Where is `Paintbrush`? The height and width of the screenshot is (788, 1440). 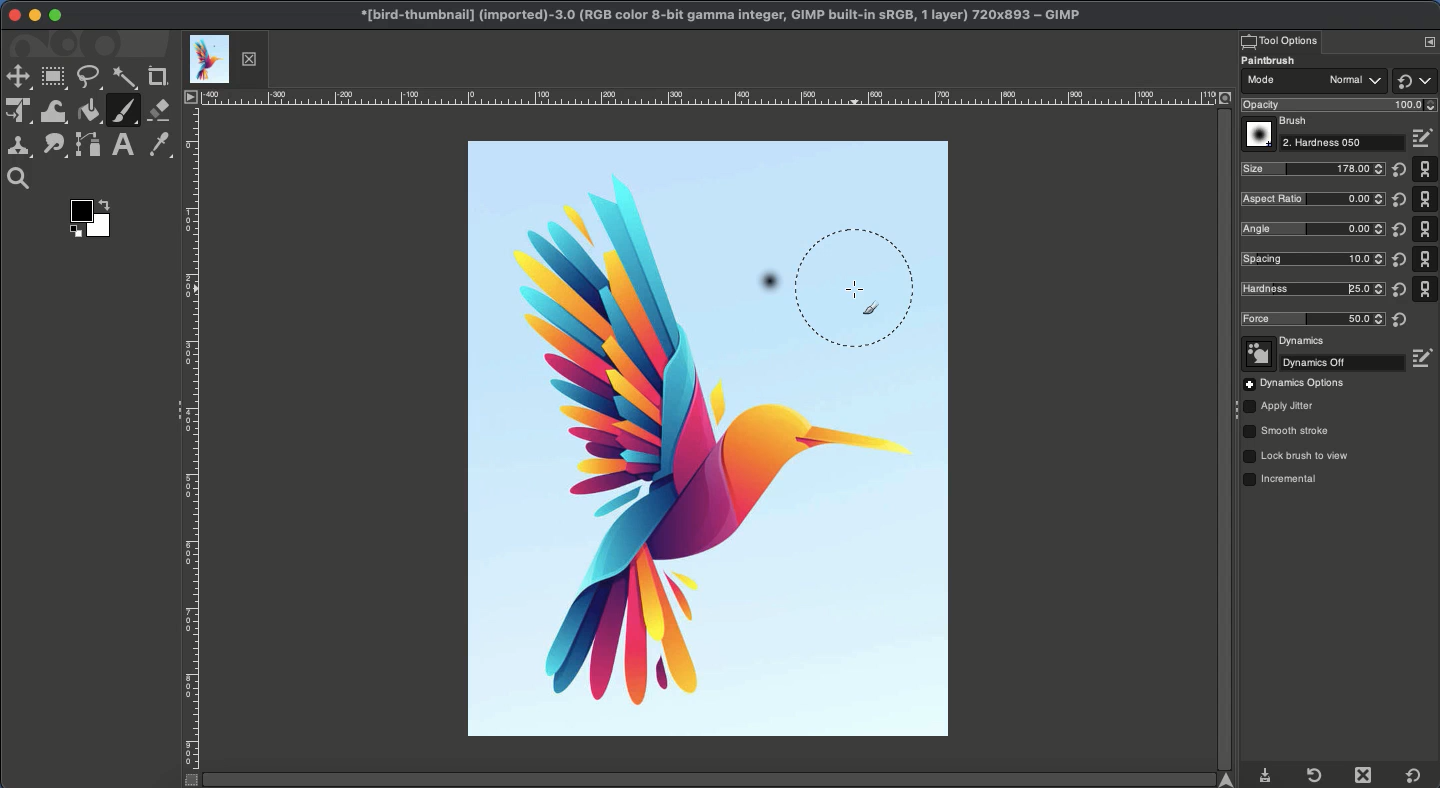 Paintbrush is located at coordinates (1281, 61).